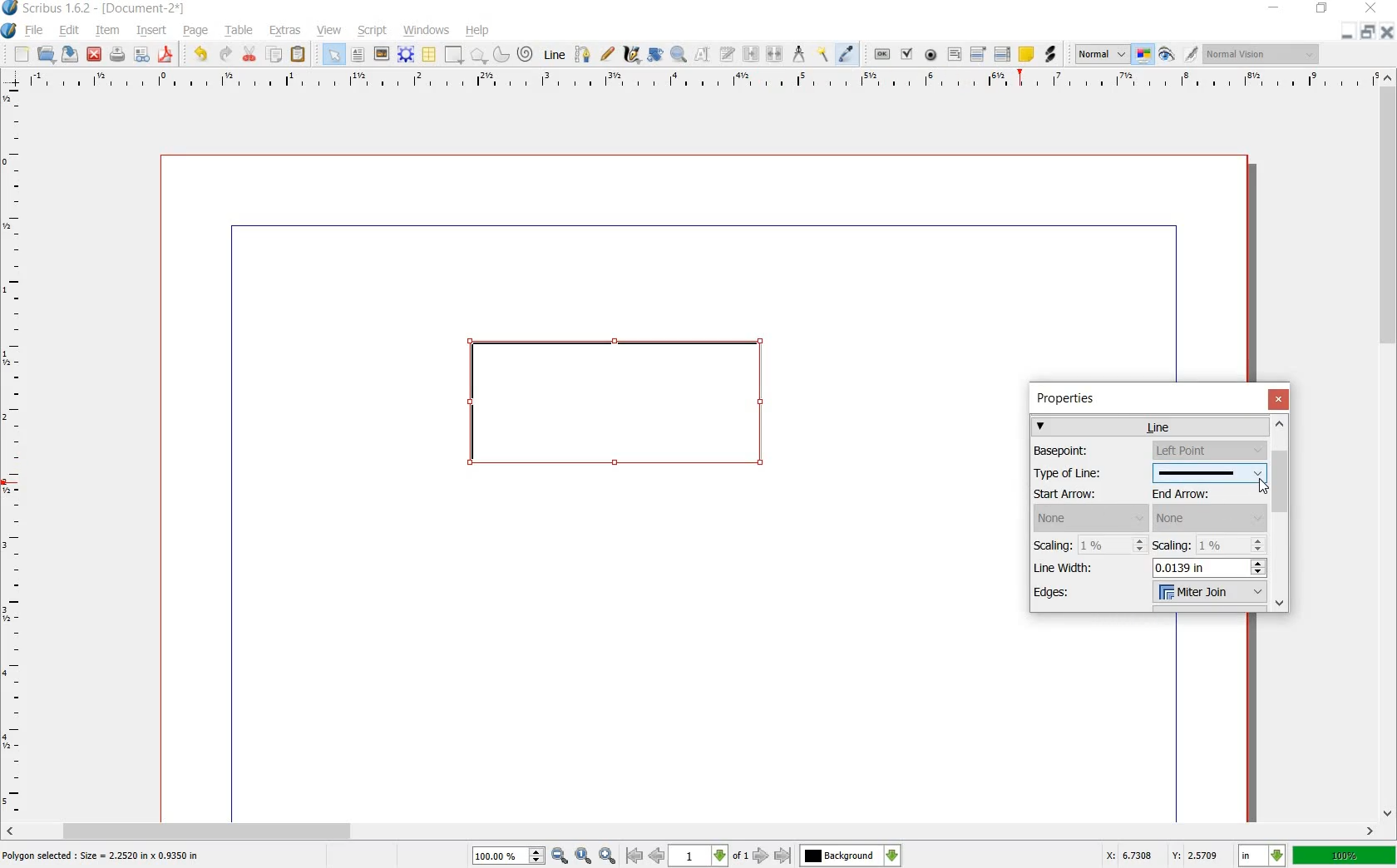 Image resolution: width=1397 pixels, height=868 pixels. What do you see at coordinates (977, 53) in the screenshot?
I see `PDF COMBO BOX` at bounding box center [977, 53].